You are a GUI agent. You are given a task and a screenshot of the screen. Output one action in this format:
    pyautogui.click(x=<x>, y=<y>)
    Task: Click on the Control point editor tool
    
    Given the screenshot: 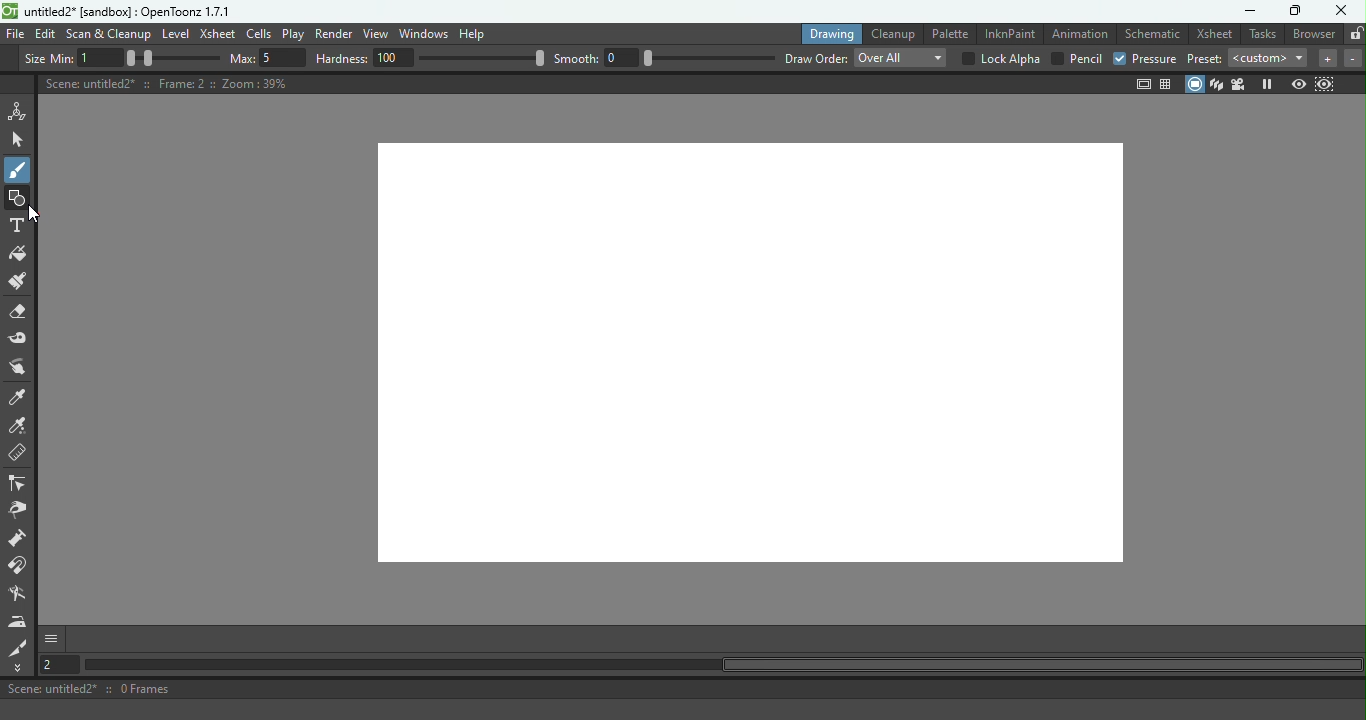 What is the action you would take?
    pyautogui.click(x=20, y=484)
    